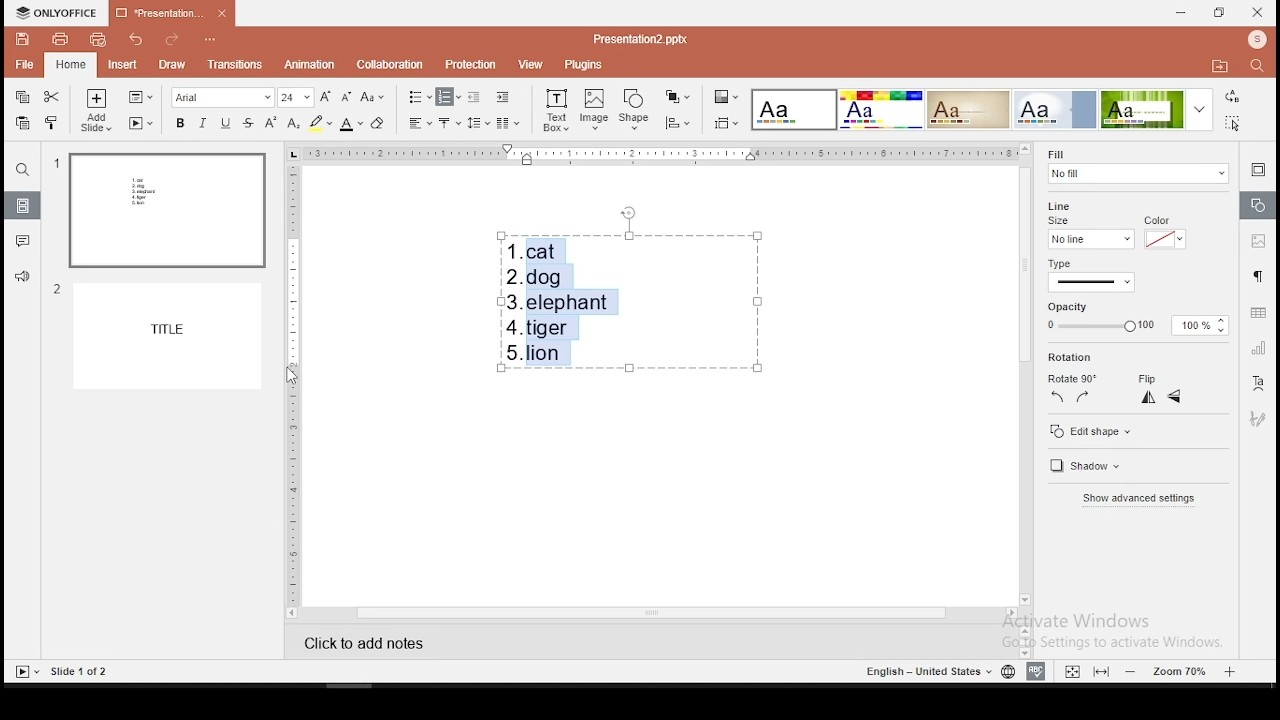 This screenshot has width=1280, height=720. I want to click on file, so click(24, 63).